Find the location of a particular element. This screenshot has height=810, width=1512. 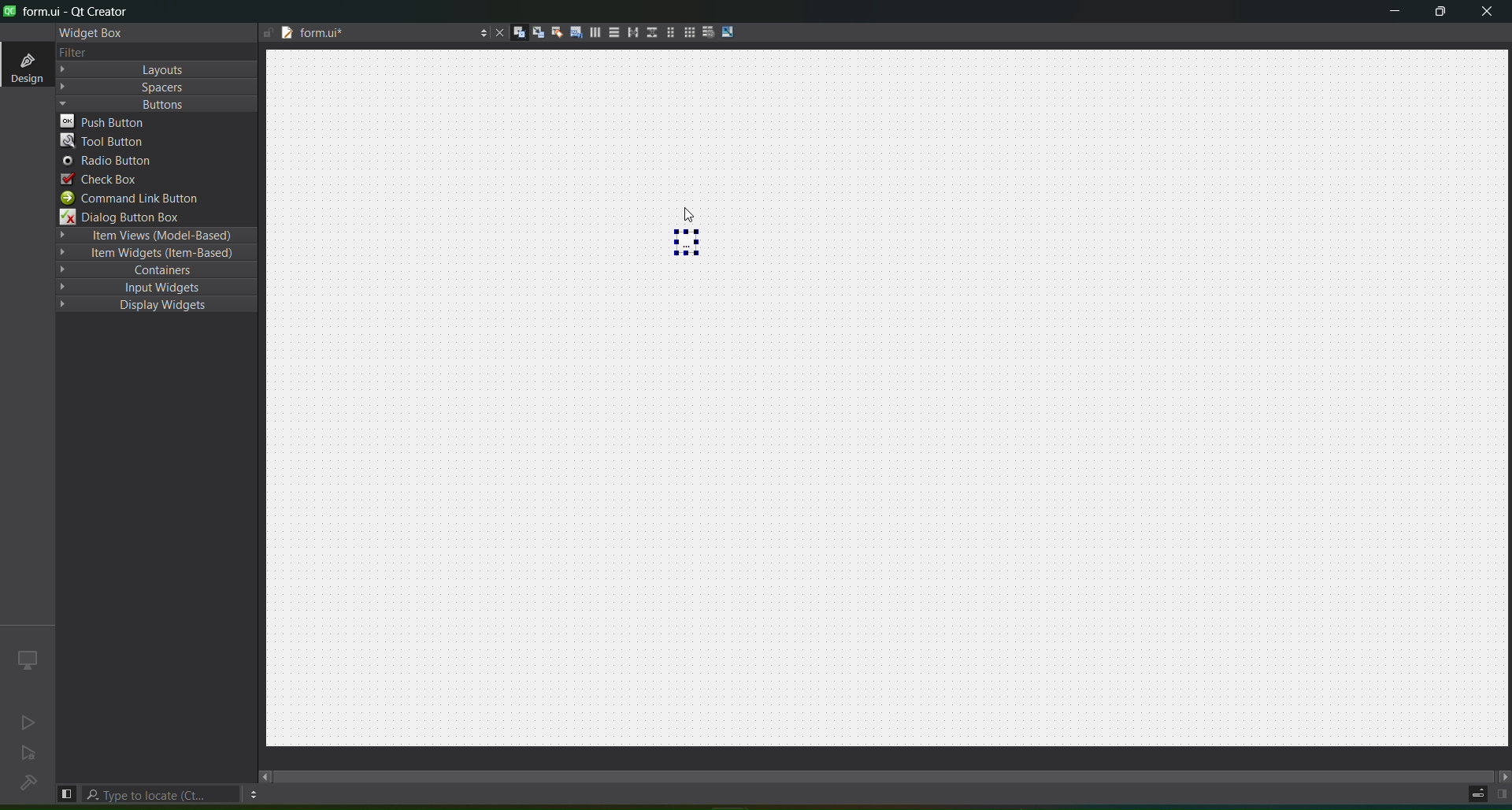

layout in a form layout is located at coordinates (669, 31).